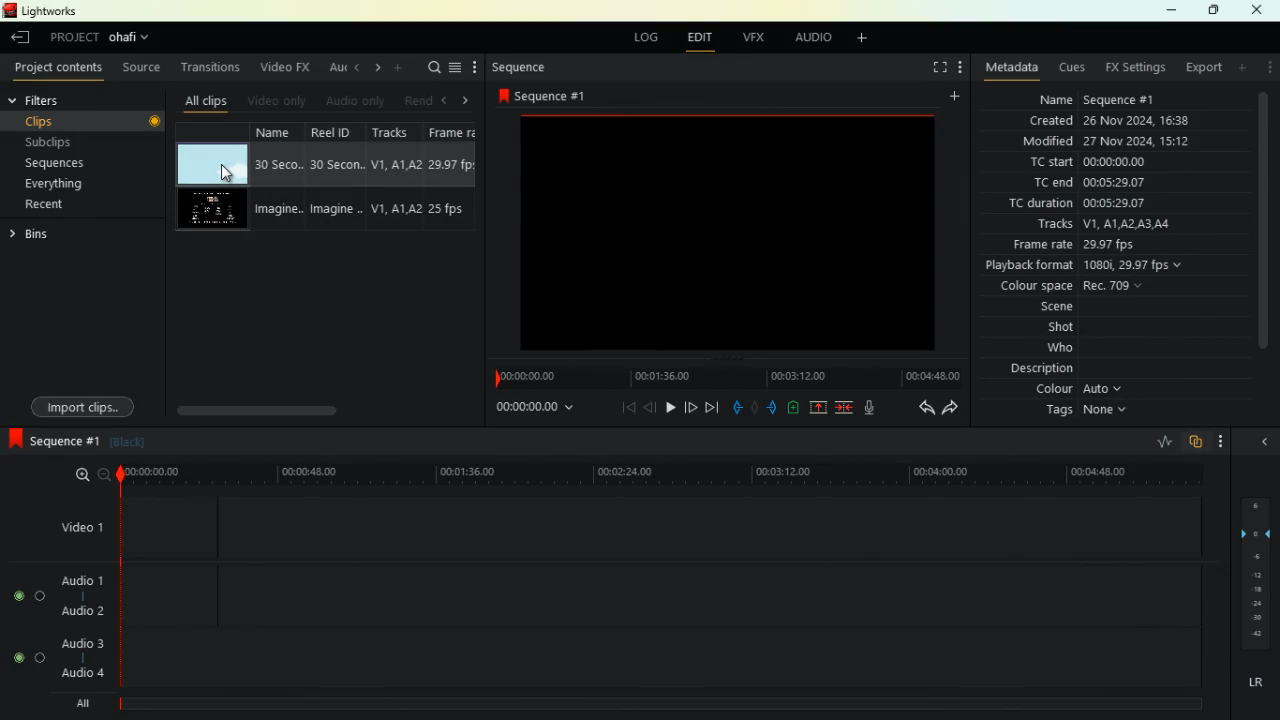 The width and height of the screenshot is (1280, 720). I want to click on sequence, so click(525, 63).